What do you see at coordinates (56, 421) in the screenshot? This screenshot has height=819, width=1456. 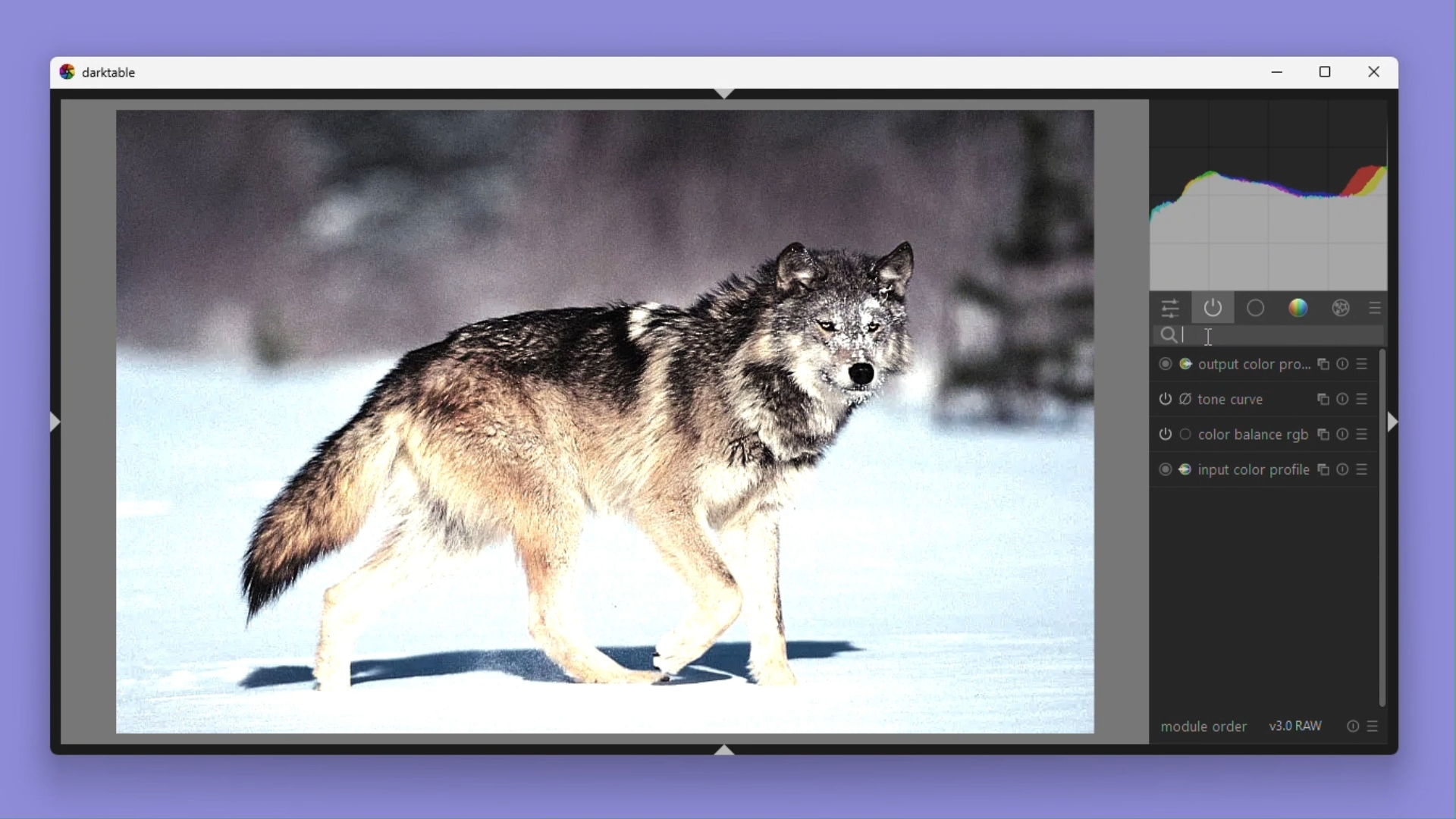 I see `shift+ctrl+l` at bounding box center [56, 421].